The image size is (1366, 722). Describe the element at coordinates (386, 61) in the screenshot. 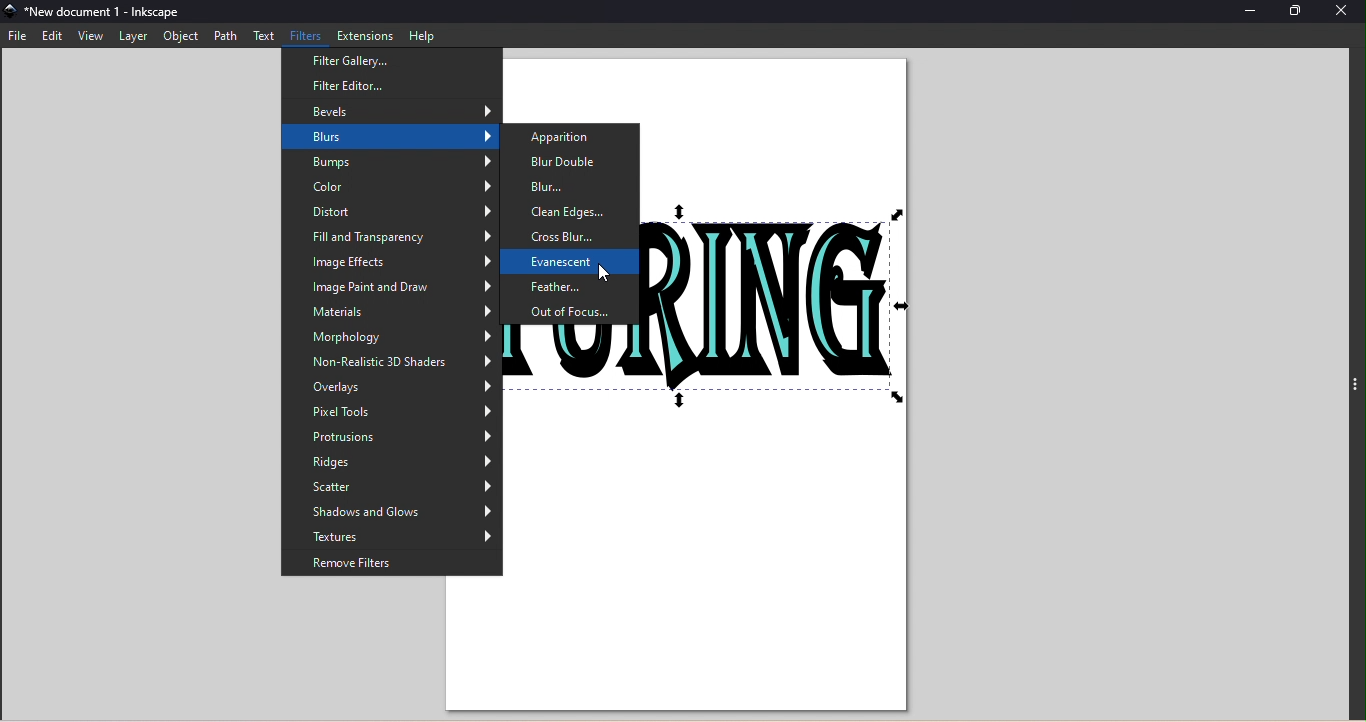

I see `Filter gallery` at that location.